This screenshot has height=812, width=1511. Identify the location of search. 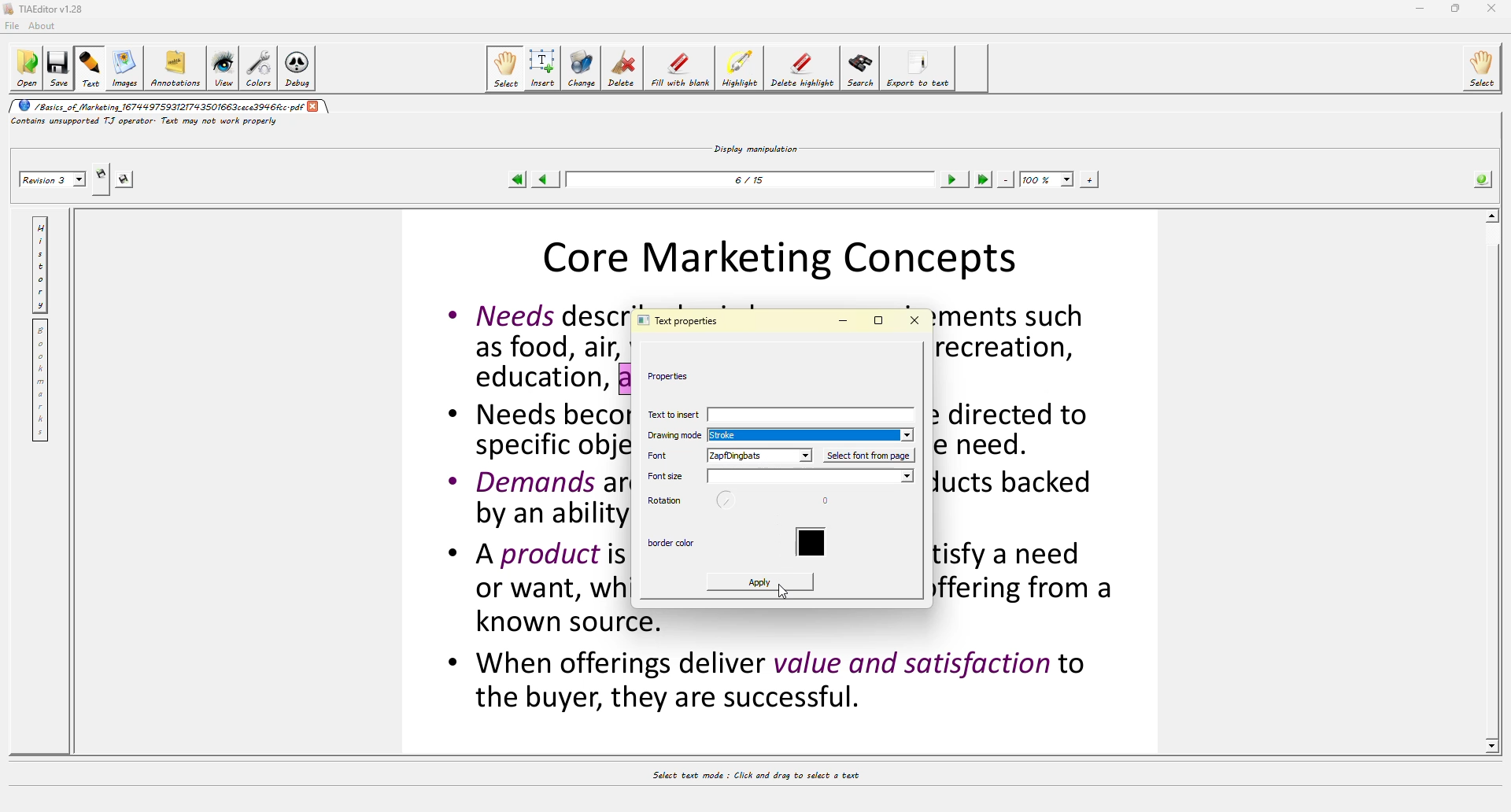
(860, 69).